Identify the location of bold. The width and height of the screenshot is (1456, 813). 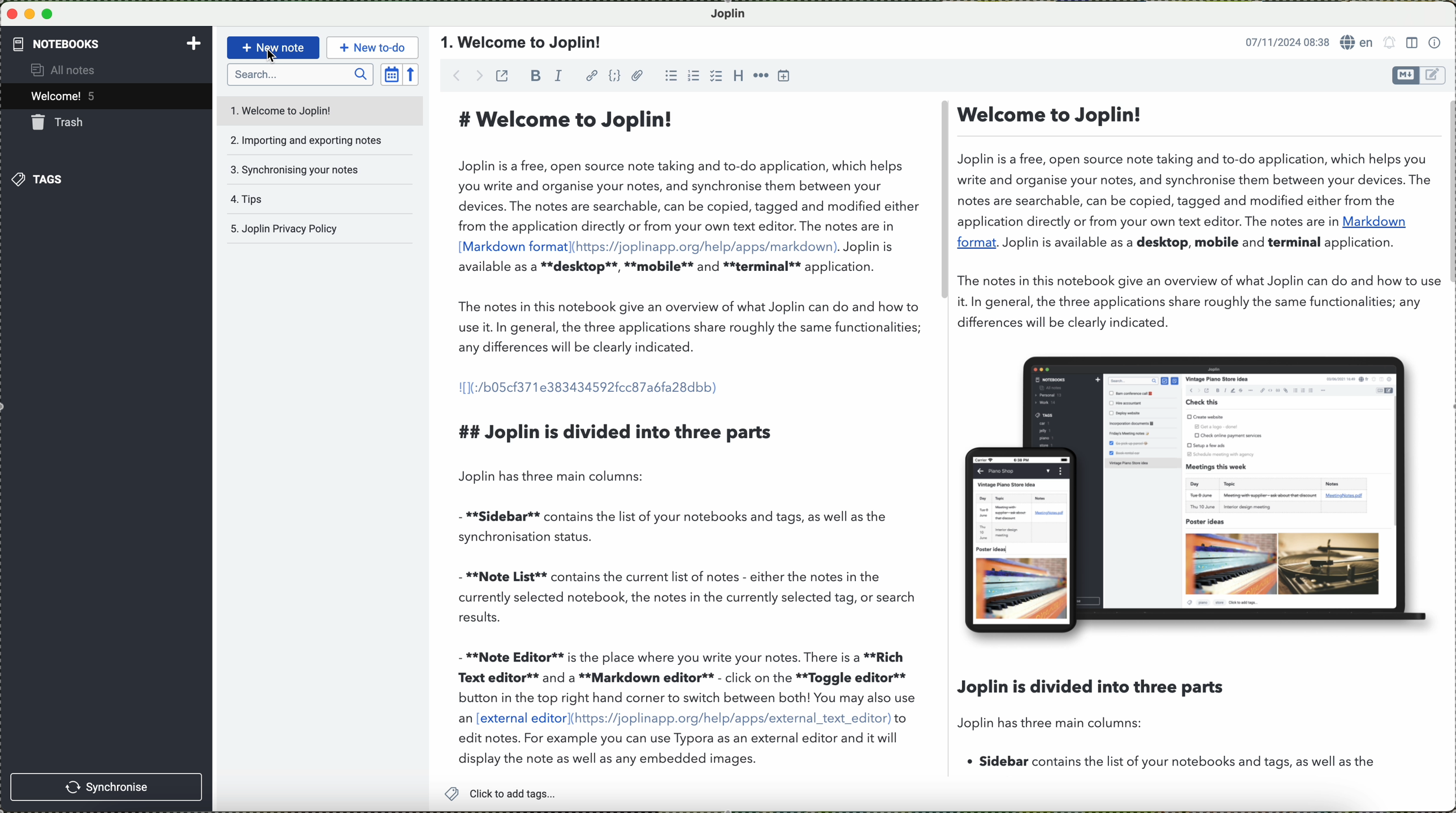
(536, 75).